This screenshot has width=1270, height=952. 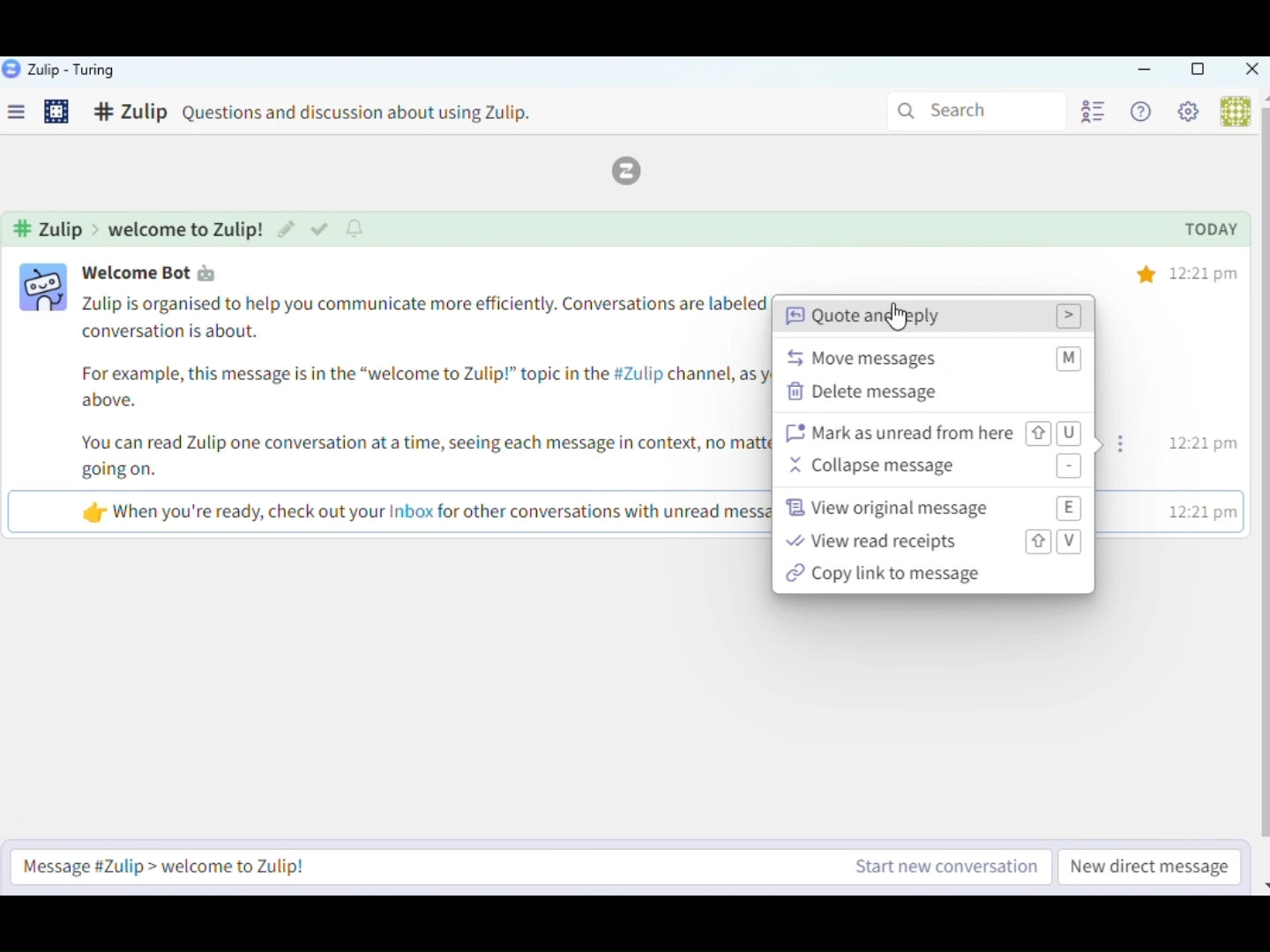 I want to click on options, so click(x=1124, y=446).